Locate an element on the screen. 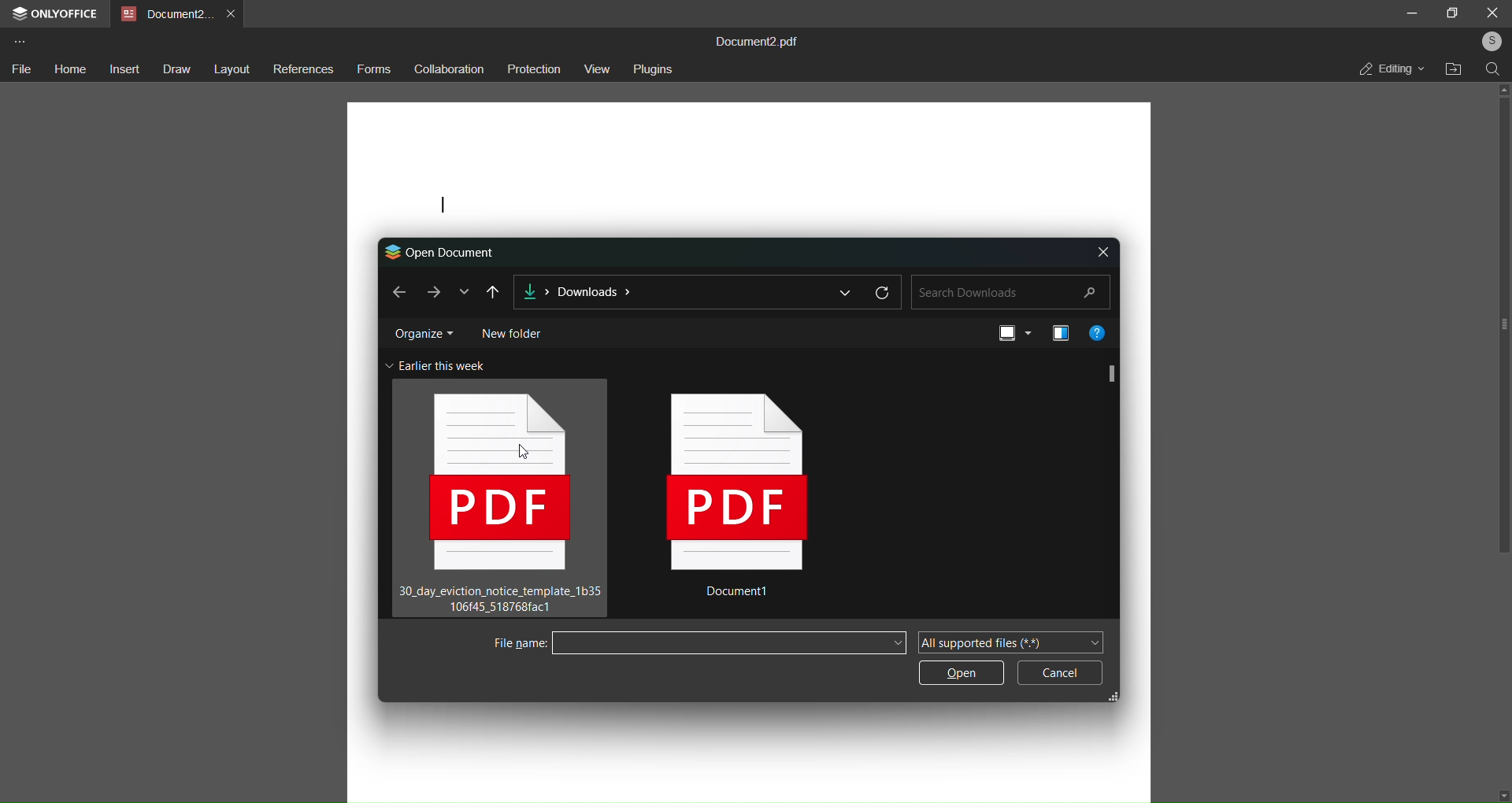 This screenshot has height=803, width=1512. cursor is located at coordinates (524, 452).